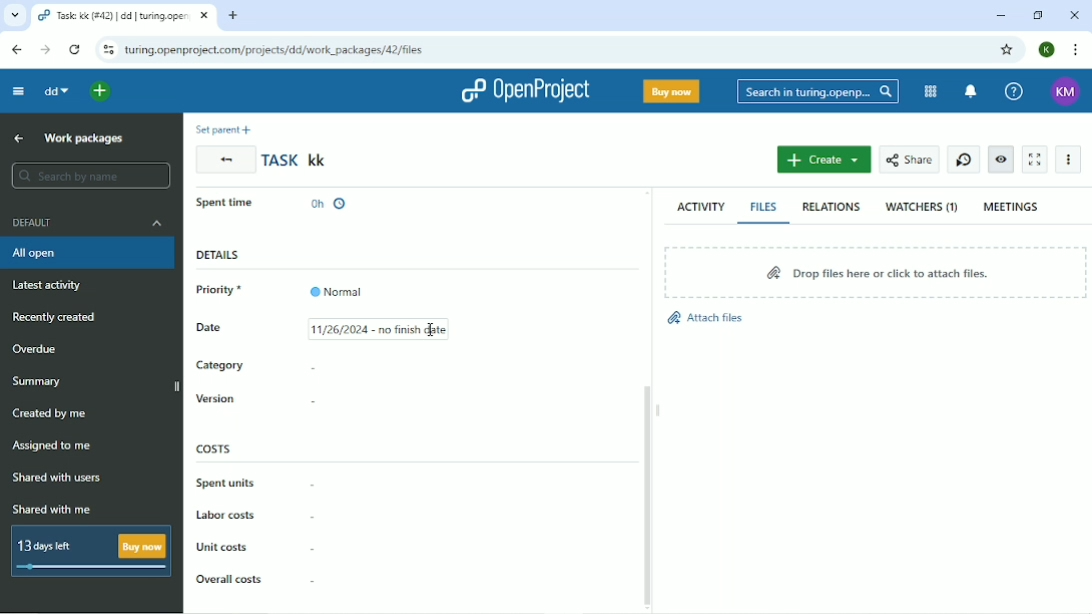  Describe the element at coordinates (277, 50) in the screenshot. I see `turing.openproject.com/projects/dd/work_packages/42/files` at that location.